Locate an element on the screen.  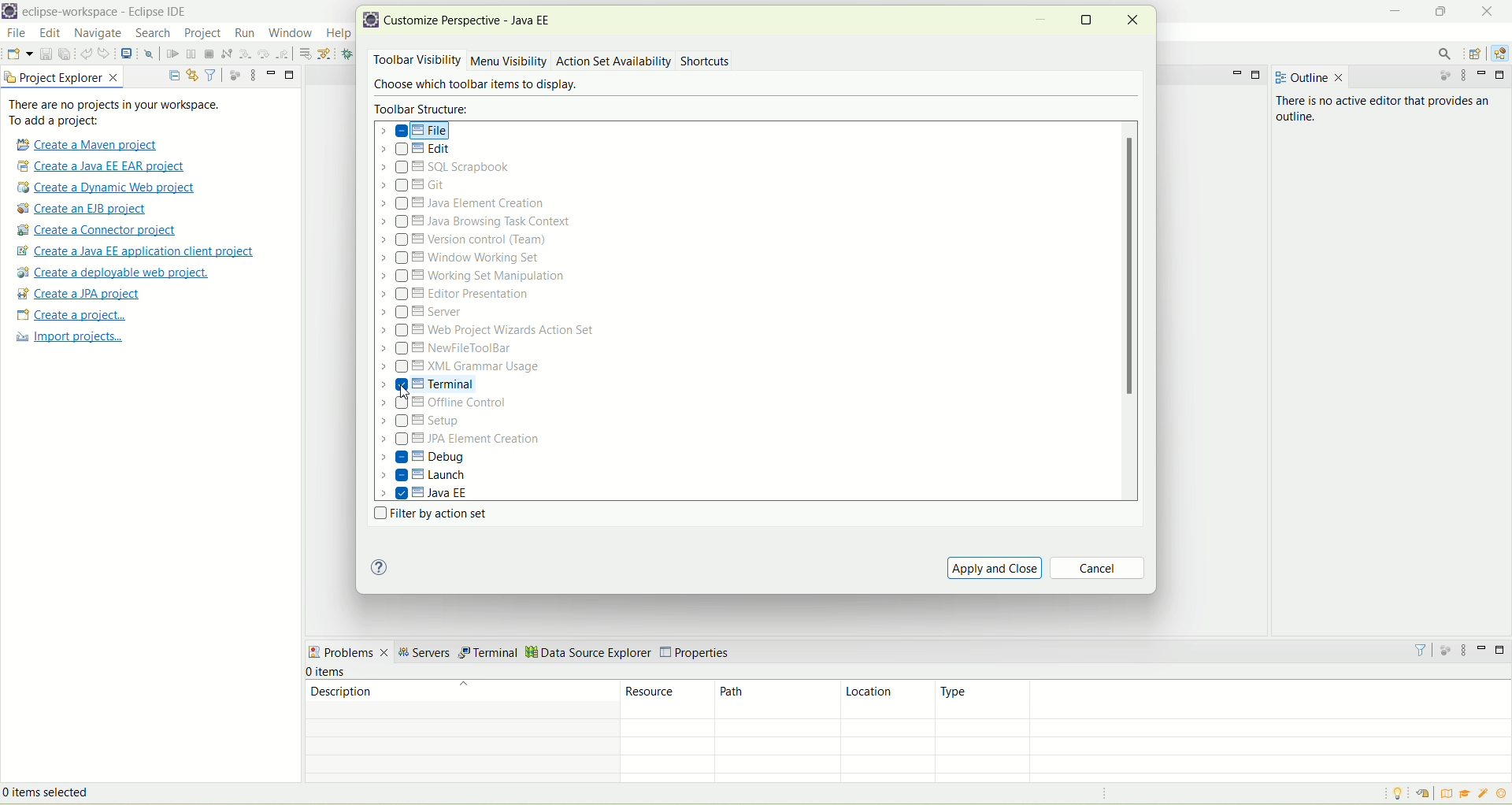
menu visibility is located at coordinates (509, 62).